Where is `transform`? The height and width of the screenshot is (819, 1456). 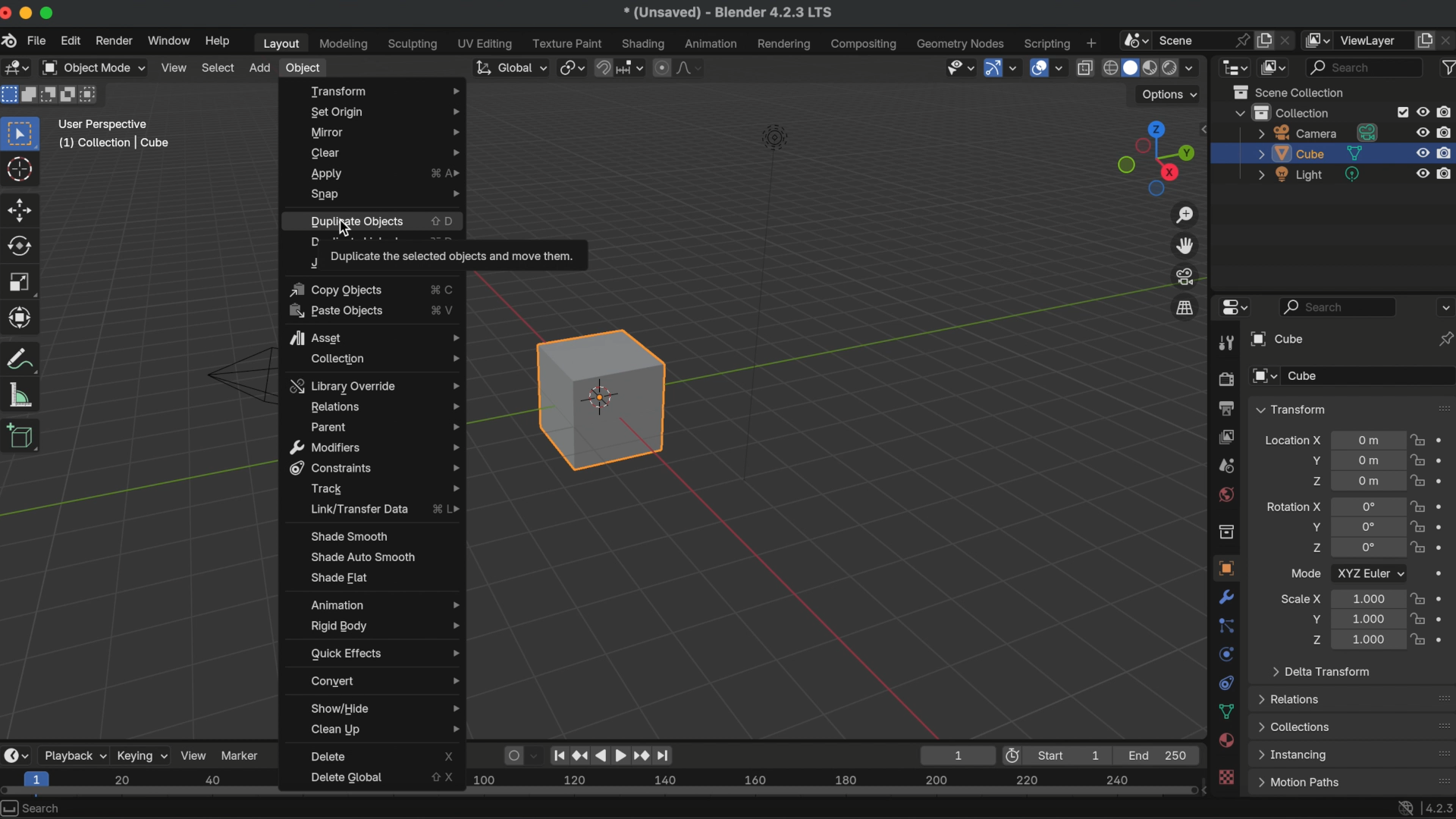
transform is located at coordinates (24, 359).